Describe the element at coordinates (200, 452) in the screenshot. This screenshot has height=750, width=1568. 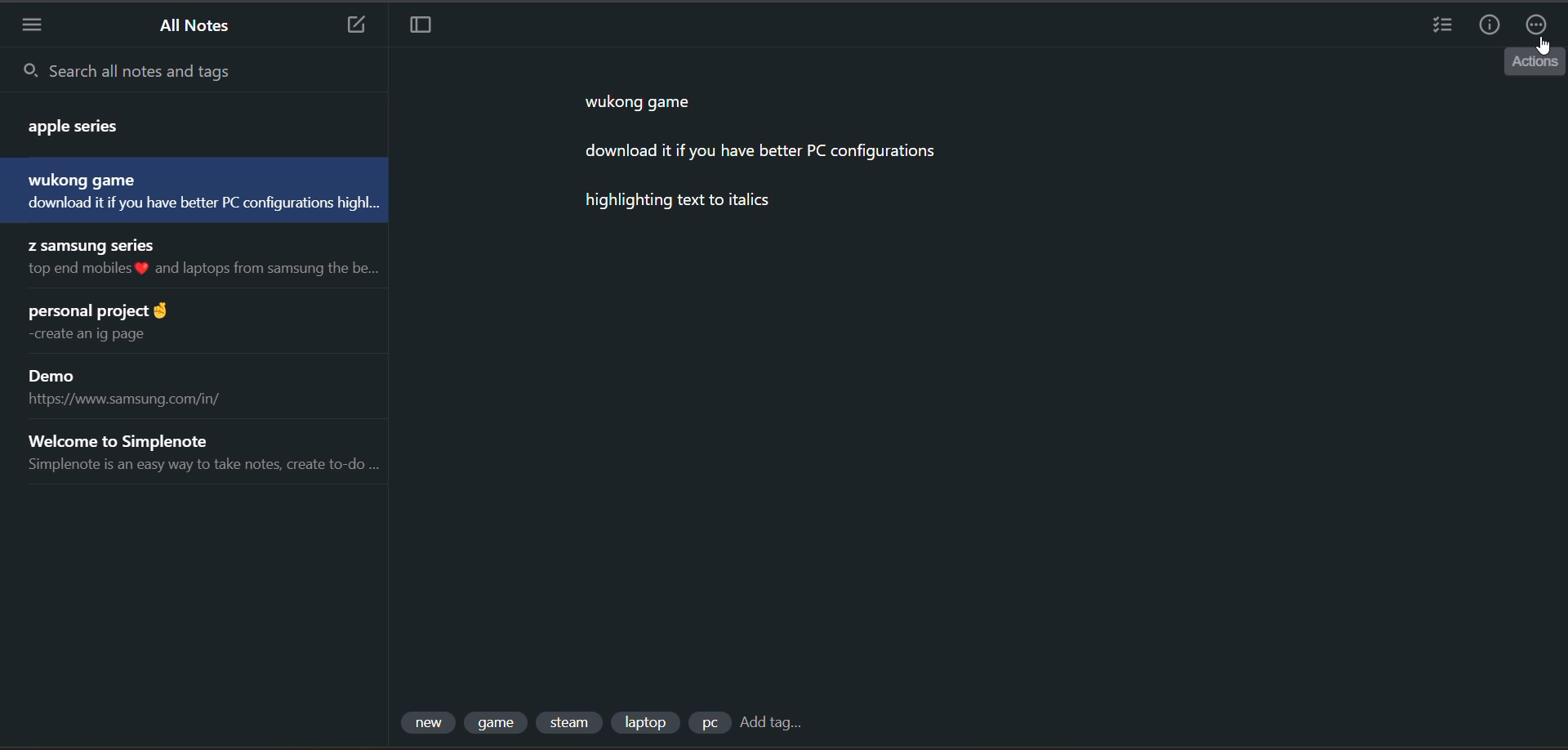
I see `note title and preview` at that location.